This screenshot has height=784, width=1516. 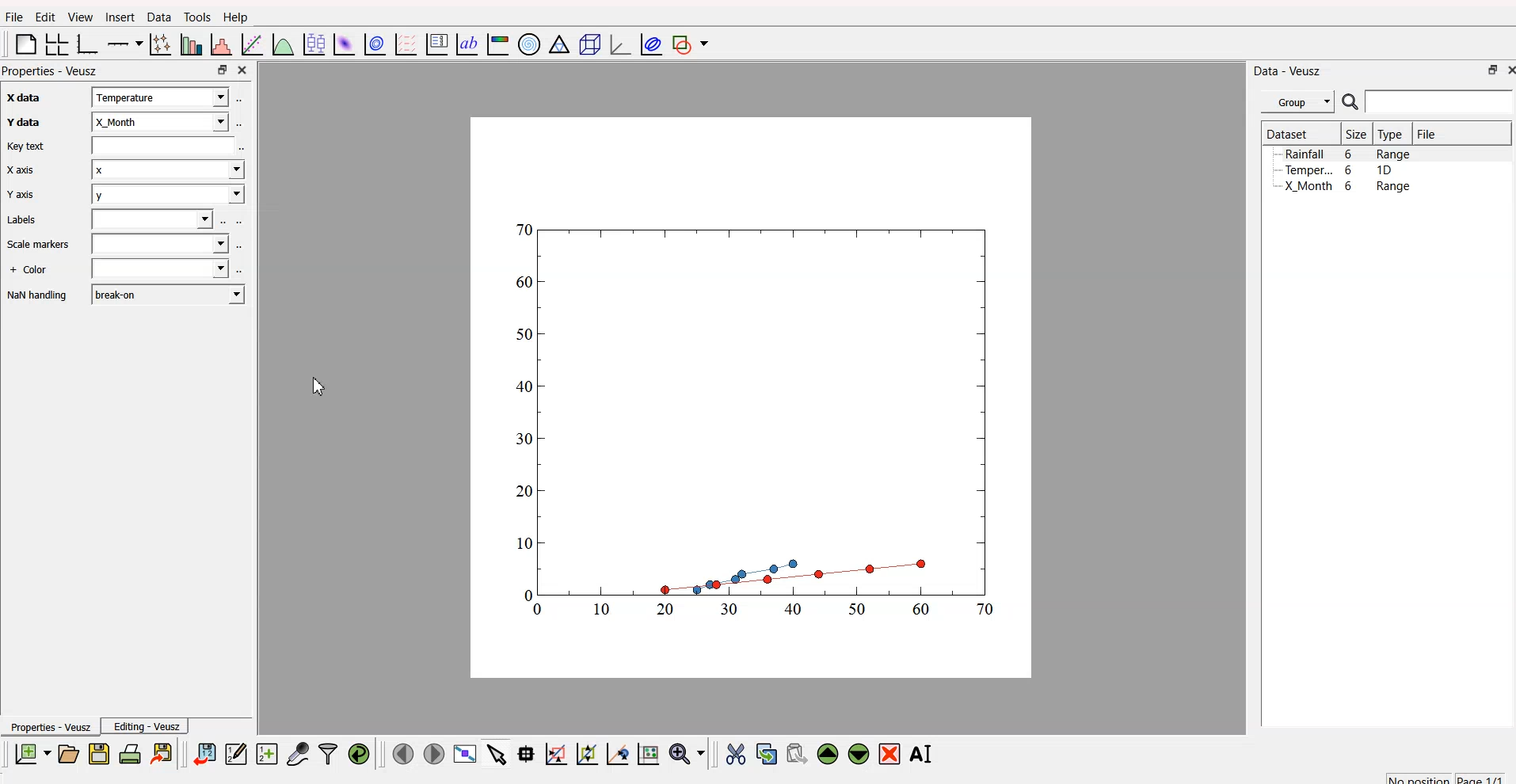 I want to click on blank page, so click(x=22, y=47).